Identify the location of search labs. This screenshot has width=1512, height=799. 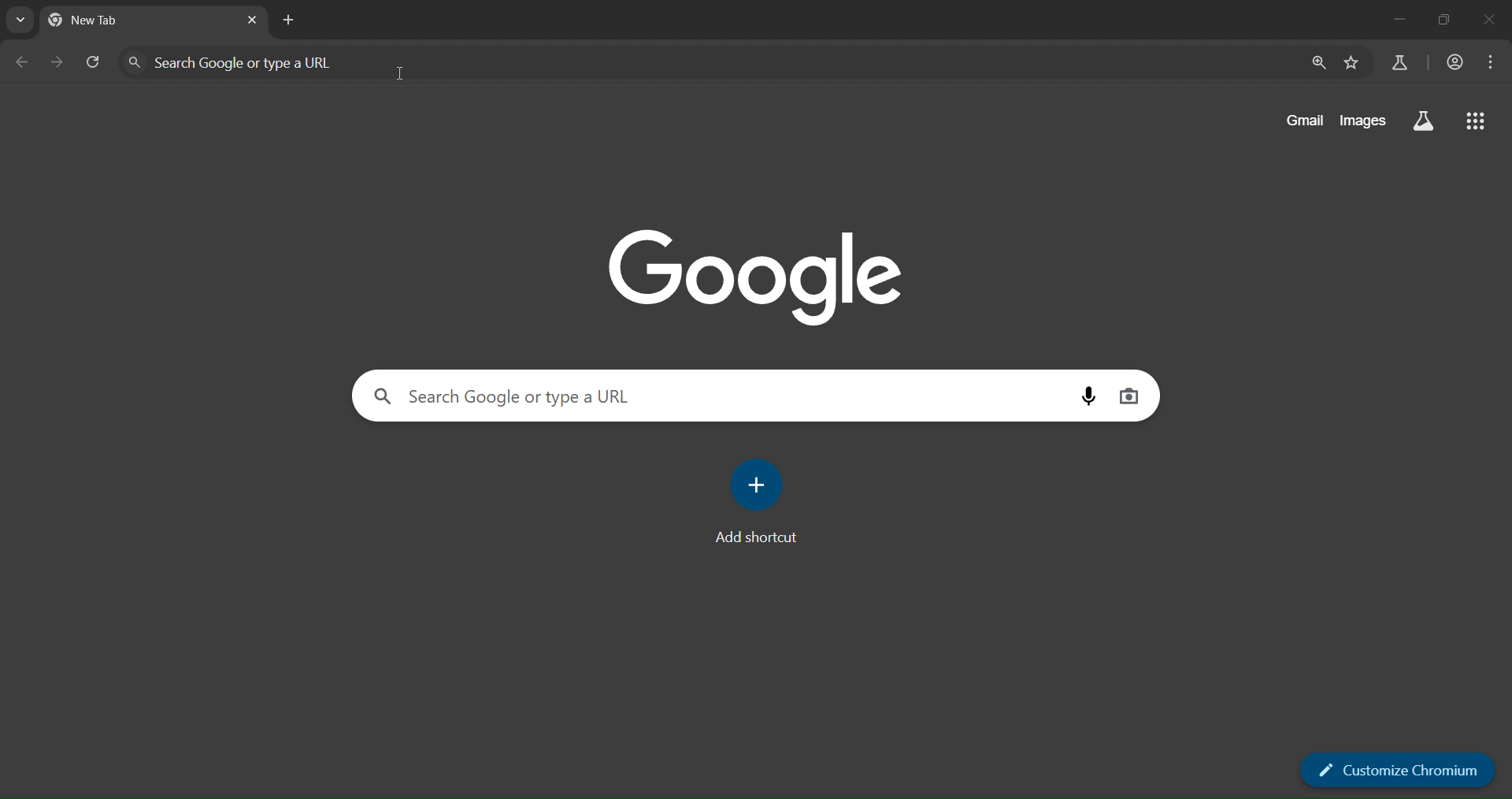
(1403, 65).